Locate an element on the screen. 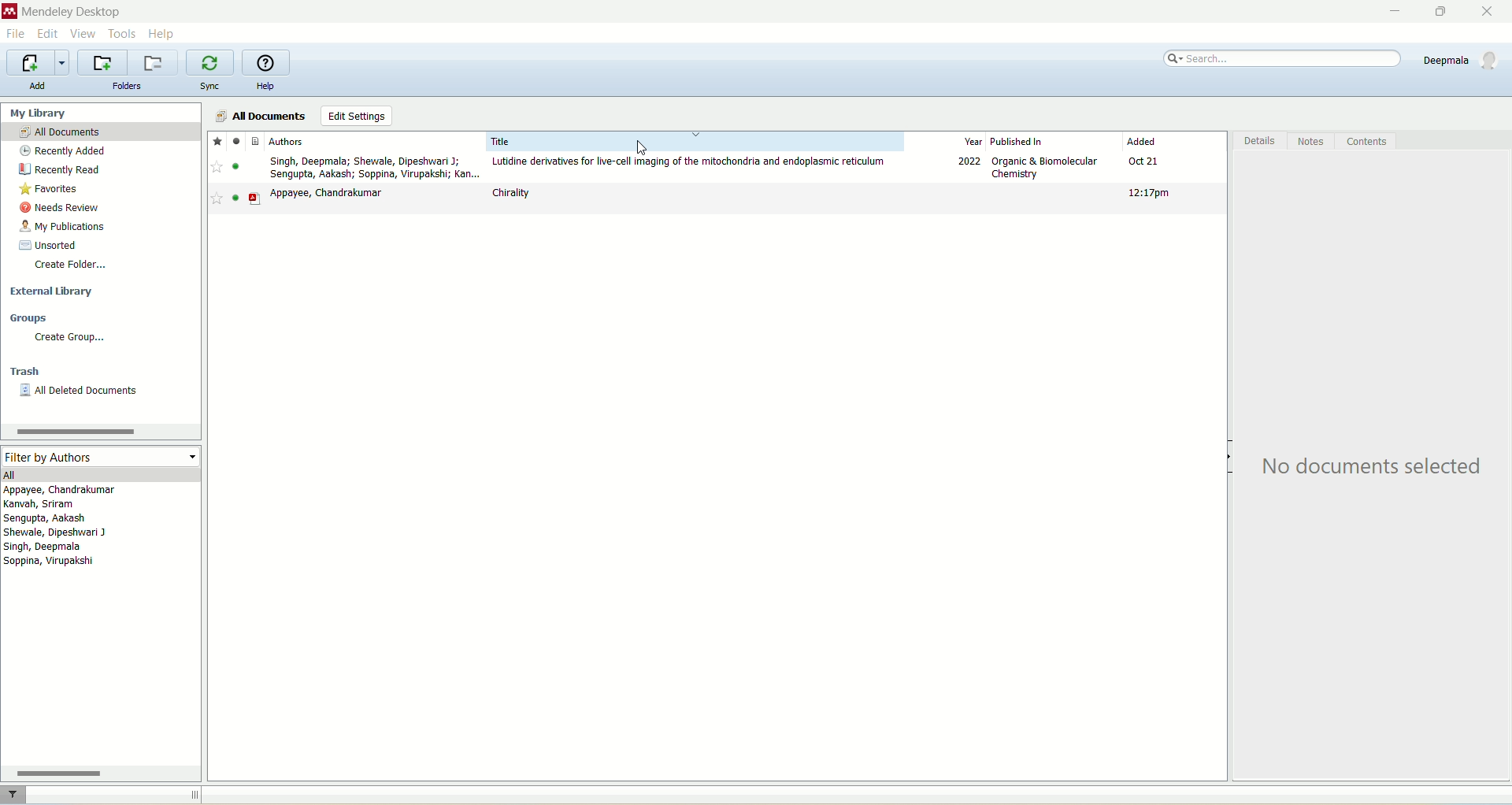  added is located at coordinates (1176, 142).